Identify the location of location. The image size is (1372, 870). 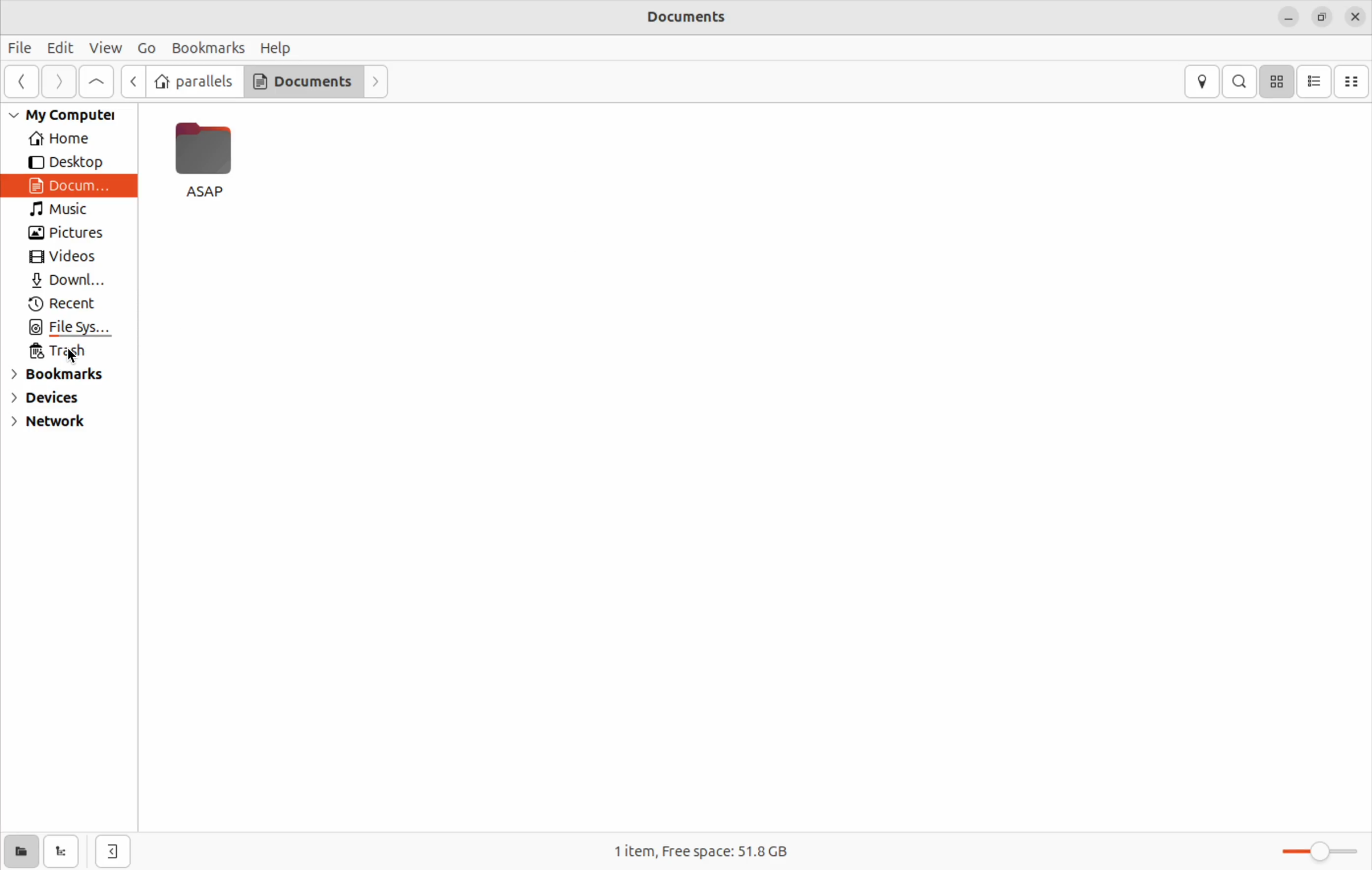
(1203, 81).